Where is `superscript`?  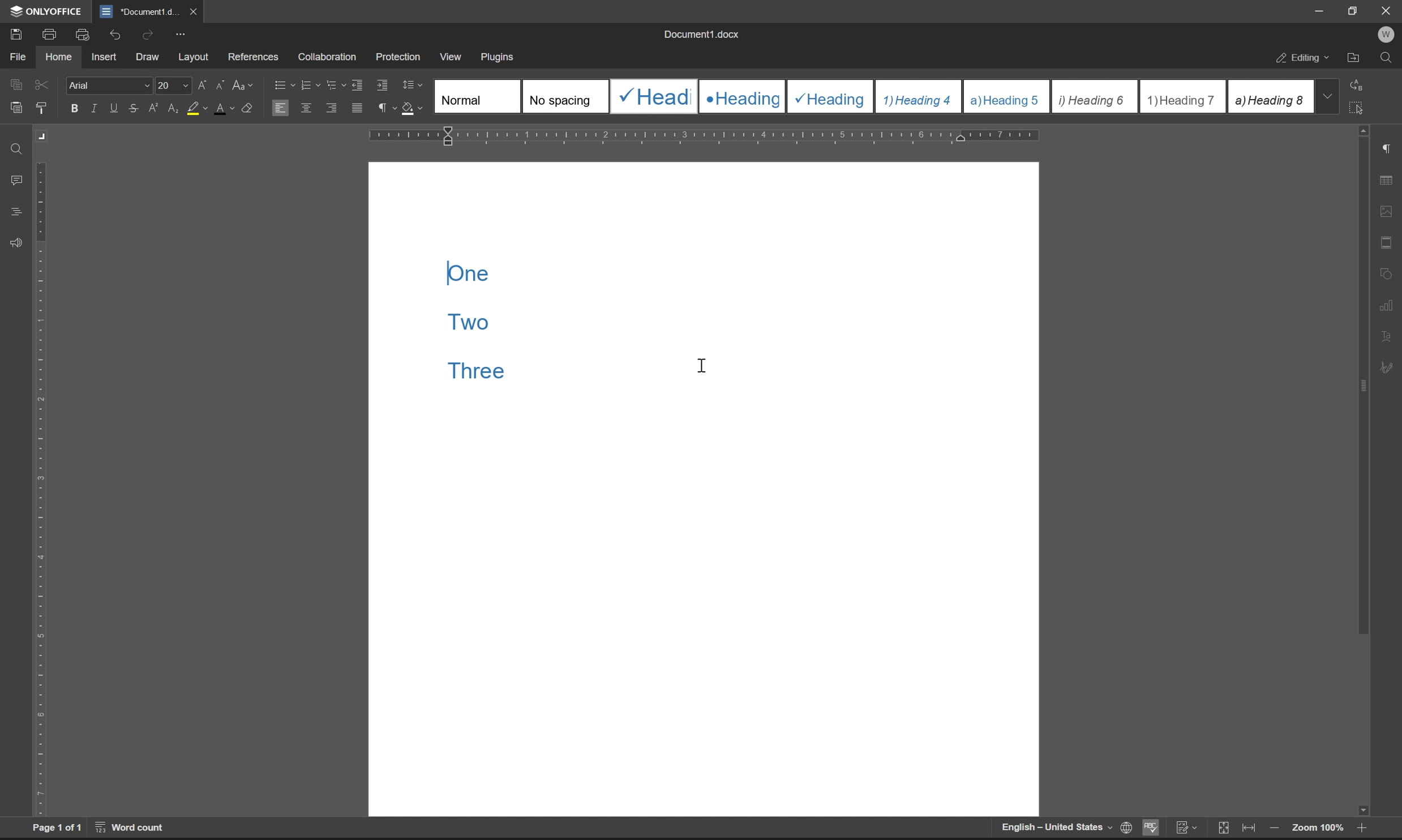
superscript is located at coordinates (155, 108).